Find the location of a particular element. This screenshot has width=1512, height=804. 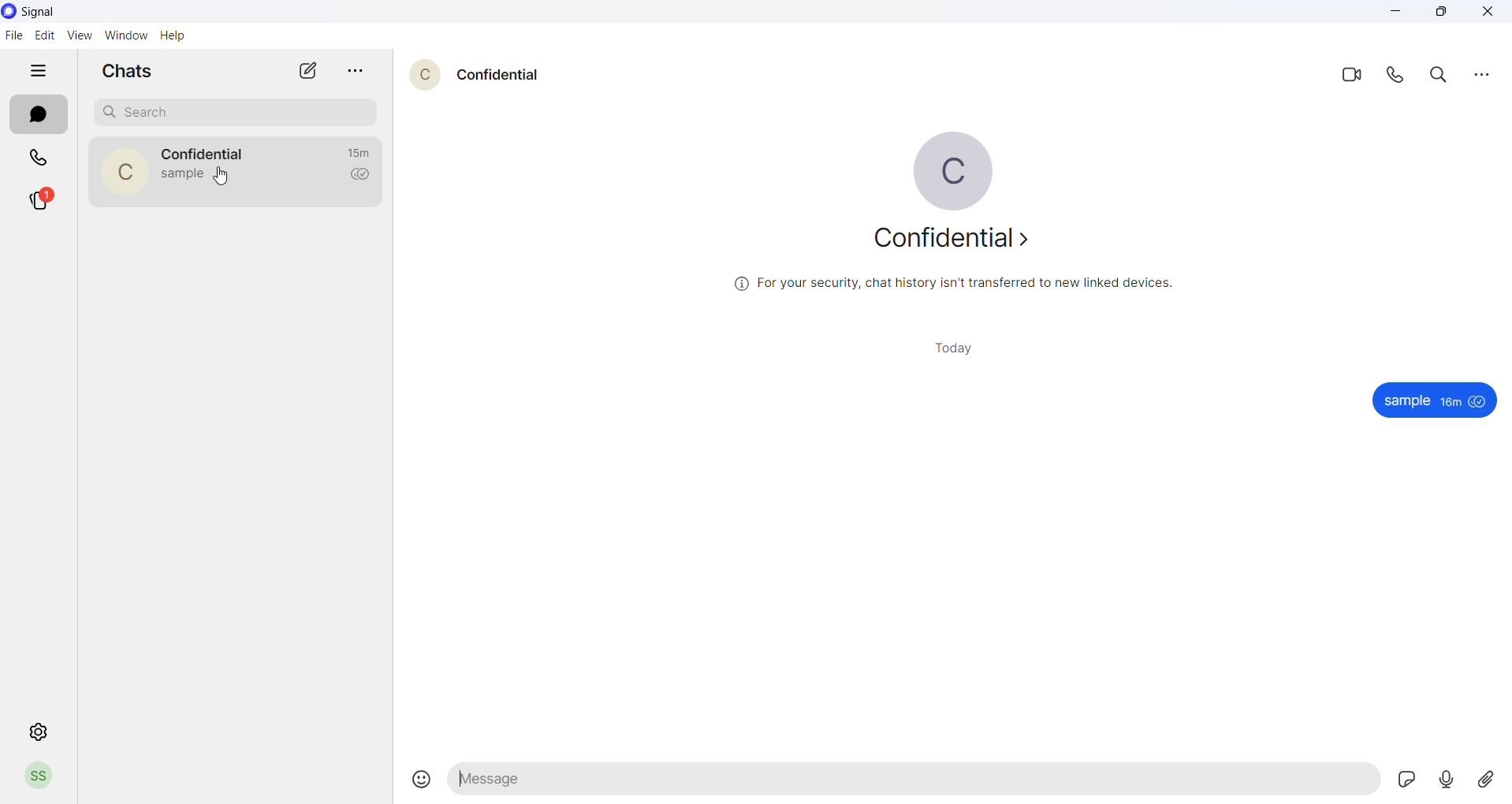

cursor is located at coordinates (225, 179).